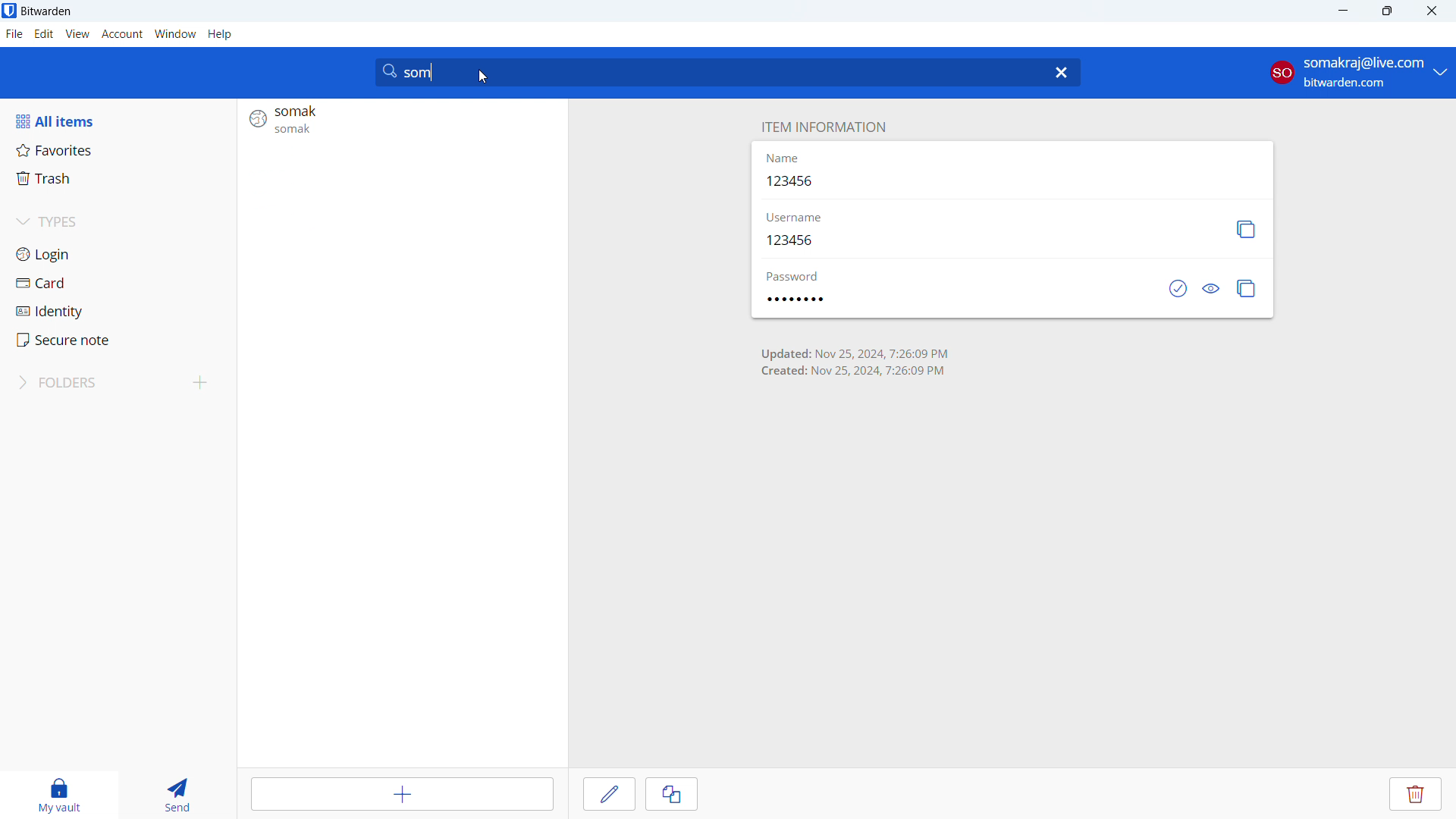 This screenshot has width=1456, height=819. I want to click on view, so click(78, 34).